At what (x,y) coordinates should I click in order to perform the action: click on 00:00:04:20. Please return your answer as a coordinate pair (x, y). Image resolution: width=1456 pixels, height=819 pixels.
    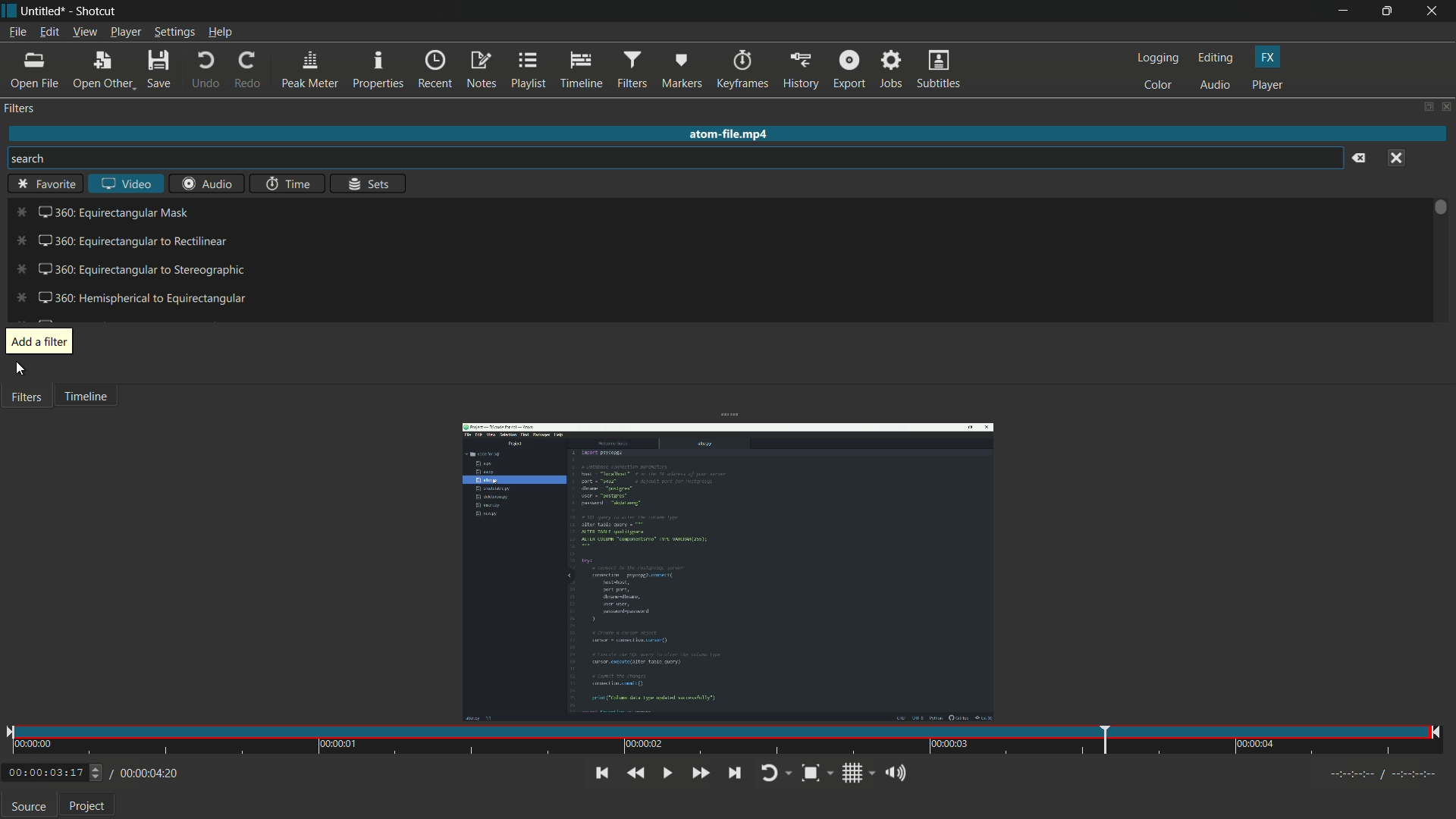
    Looking at the image, I should click on (145, 774).